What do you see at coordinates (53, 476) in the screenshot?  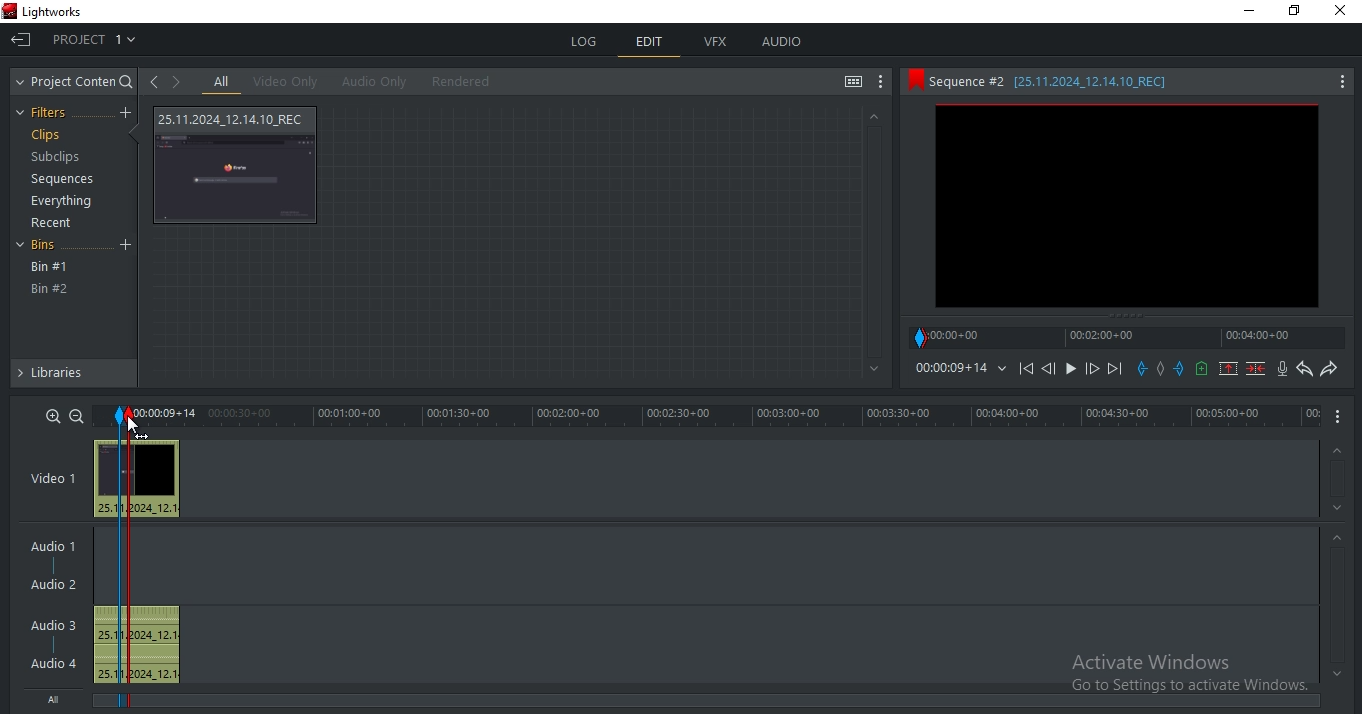 I see `video 1` at bounding box center [53, 476].